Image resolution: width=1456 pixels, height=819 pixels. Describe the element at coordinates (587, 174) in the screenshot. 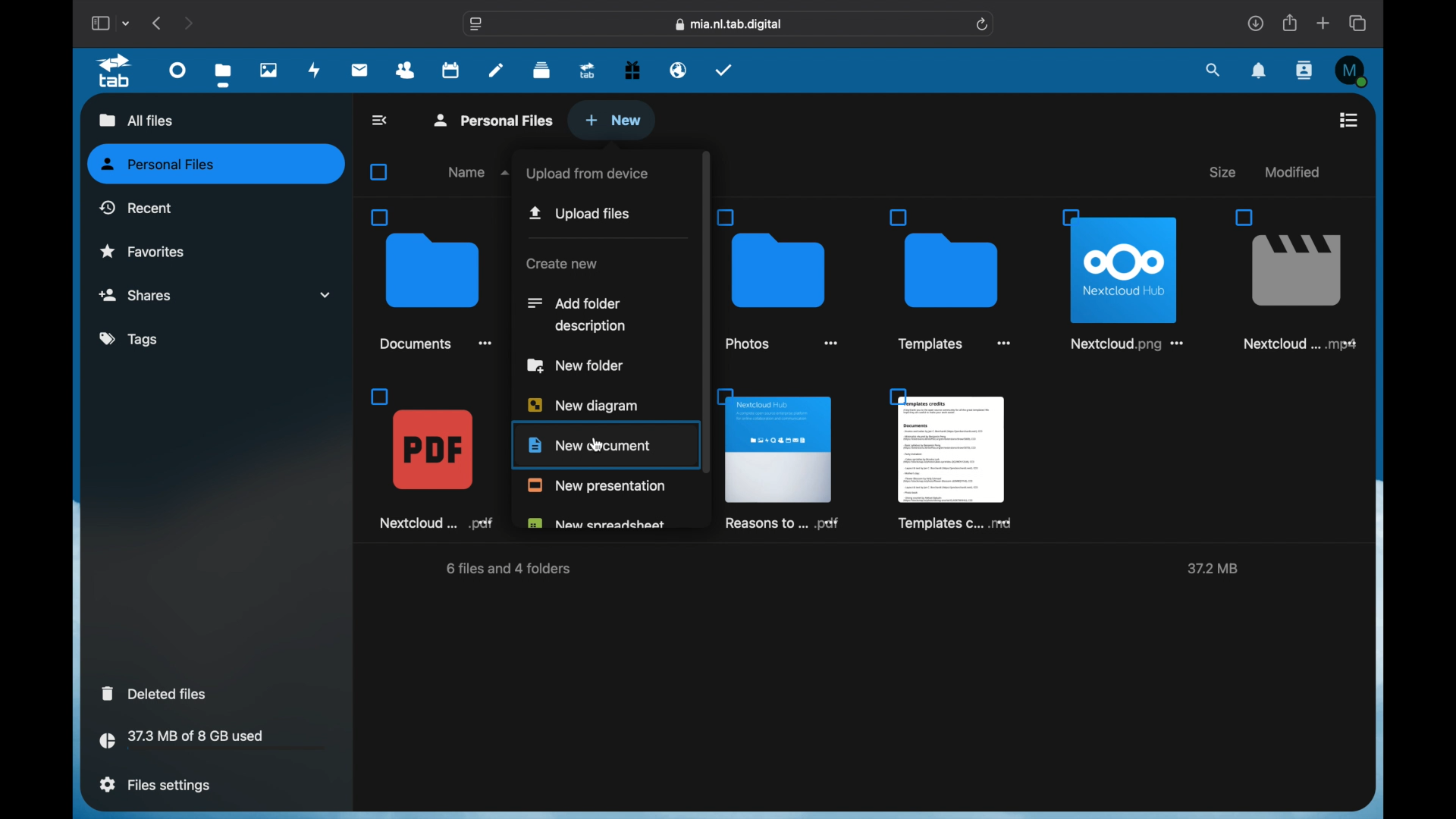

I see `upload from device` at that location.